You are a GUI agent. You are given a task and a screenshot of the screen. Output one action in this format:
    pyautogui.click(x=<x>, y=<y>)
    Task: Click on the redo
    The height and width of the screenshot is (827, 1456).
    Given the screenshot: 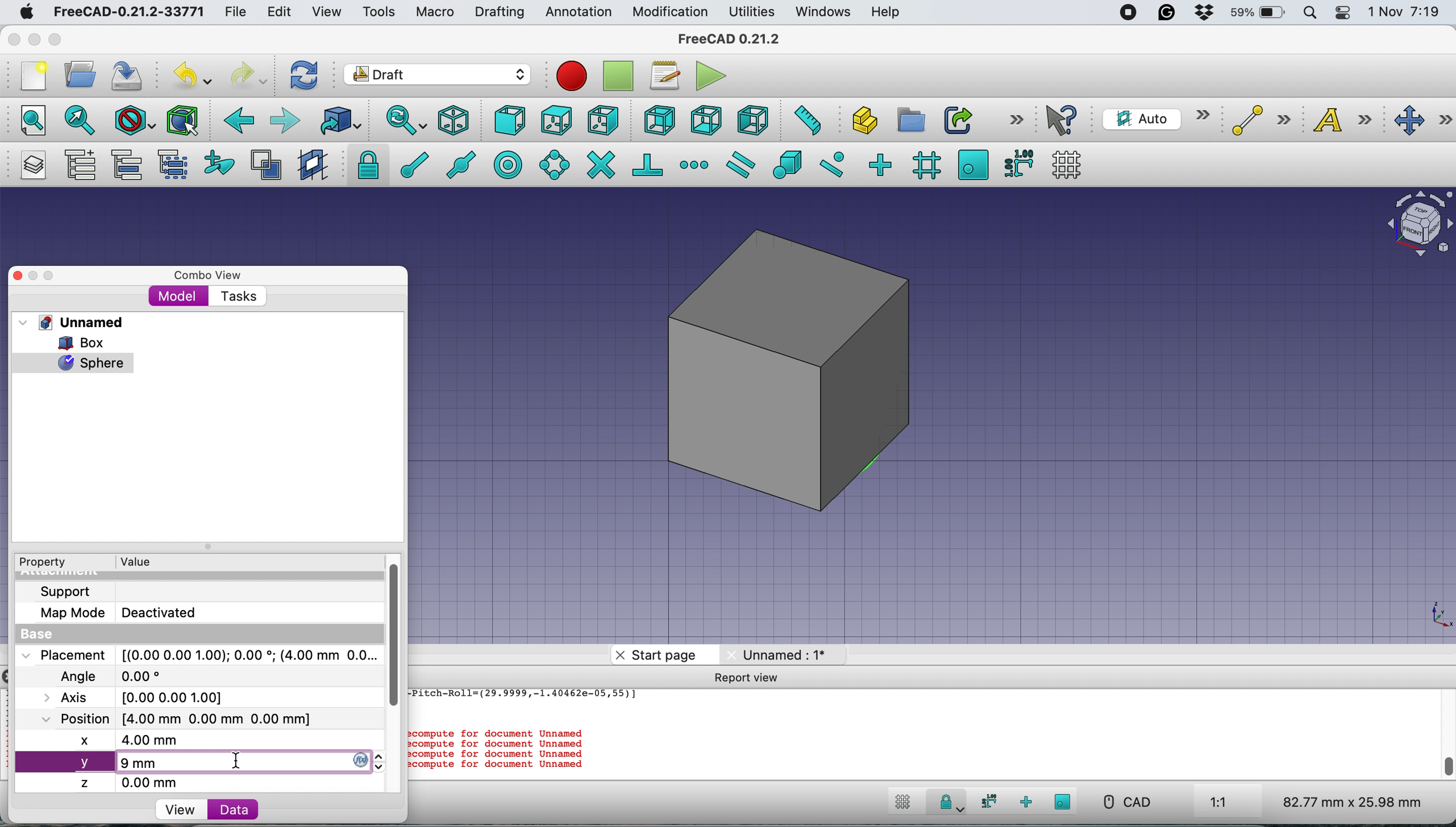 What is the action you would take?
    pyautogui.click(x=249, y=74)
    